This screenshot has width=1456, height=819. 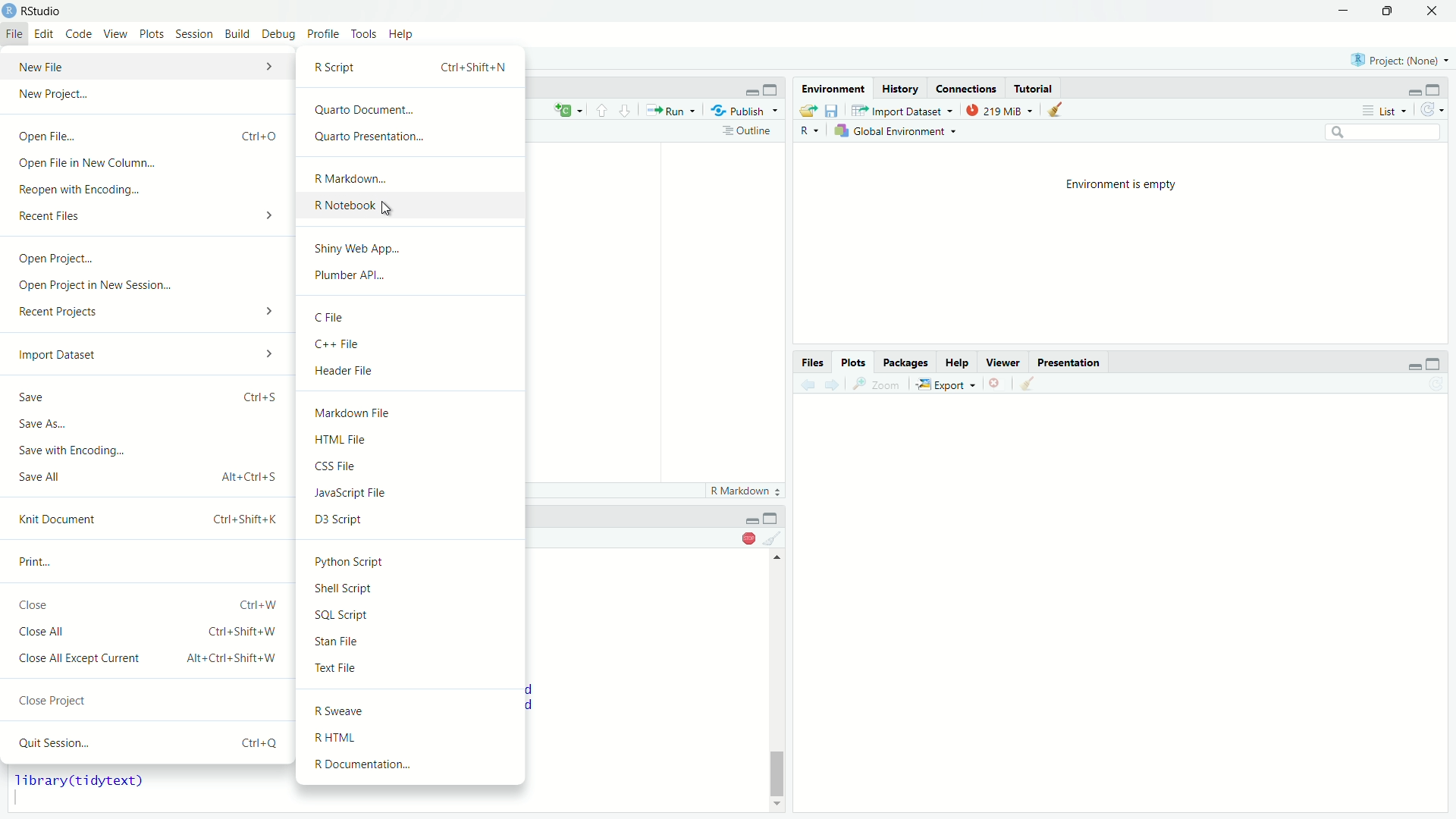 What do you see at coordinates (152, 34) in the screenshot?
I see `Plots` at bounding box center [152, 34].